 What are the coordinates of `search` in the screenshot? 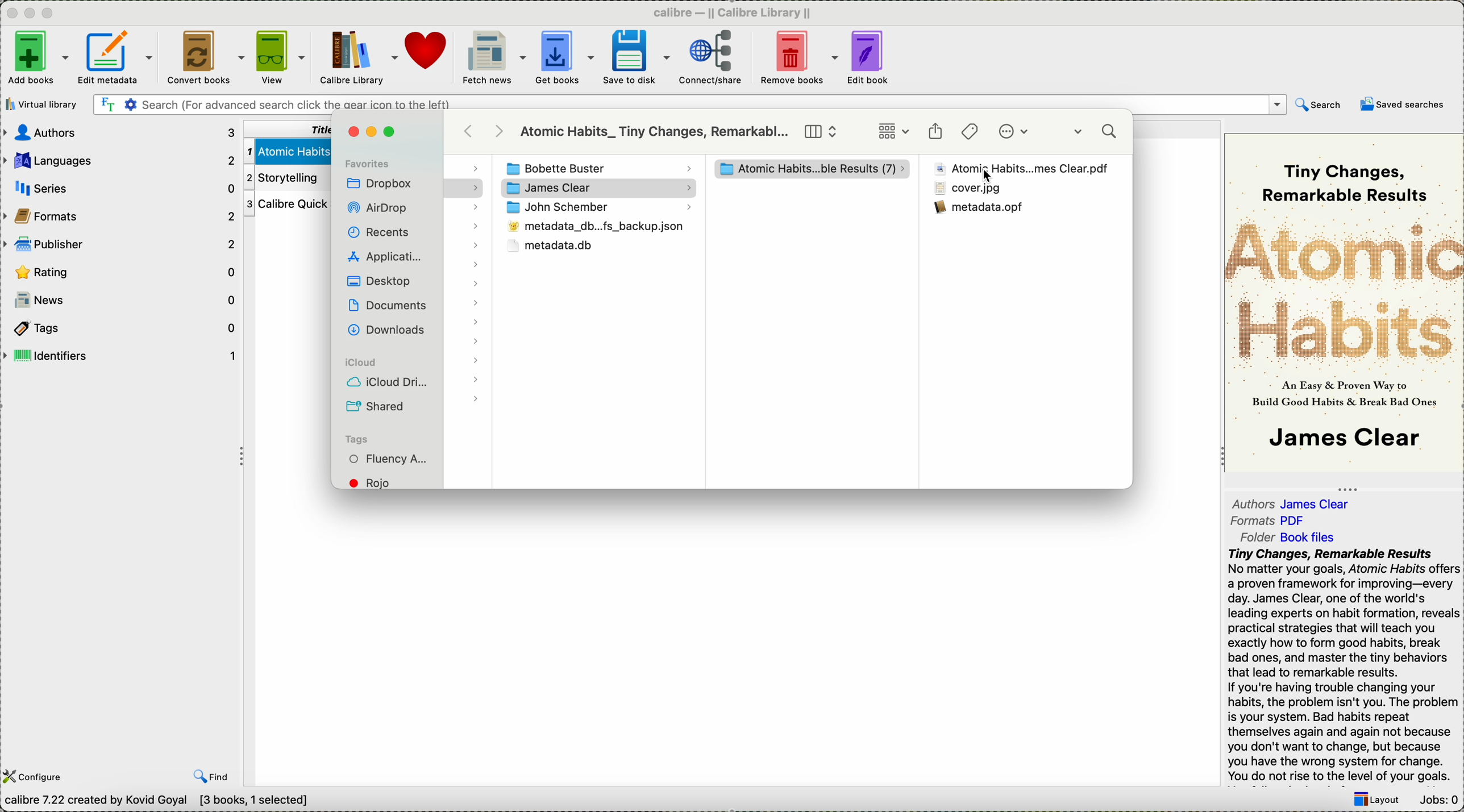 It's located at (1319, 107).